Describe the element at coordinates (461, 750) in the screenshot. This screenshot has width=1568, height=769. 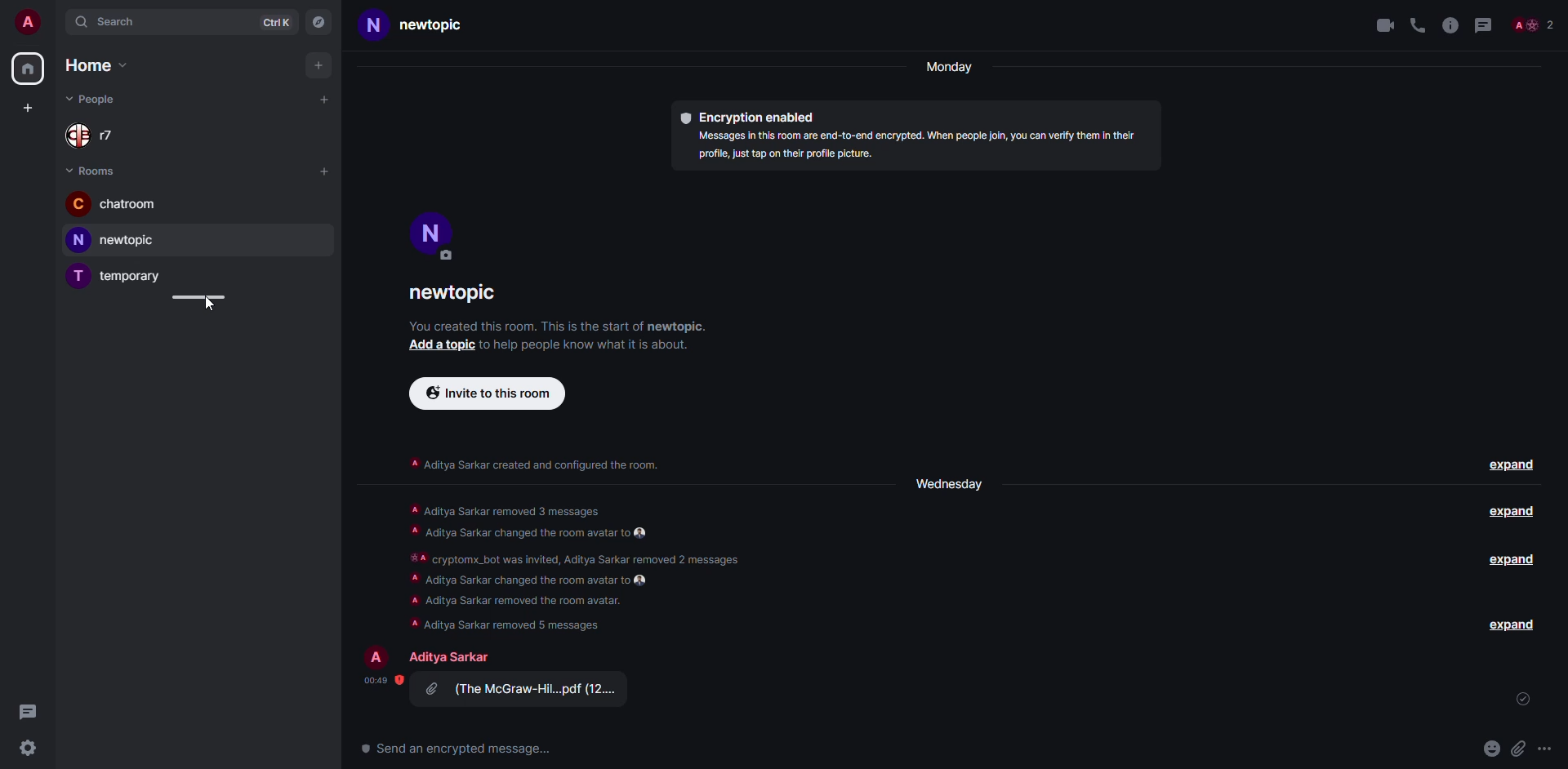
I see `send an encrypted message` at that location.